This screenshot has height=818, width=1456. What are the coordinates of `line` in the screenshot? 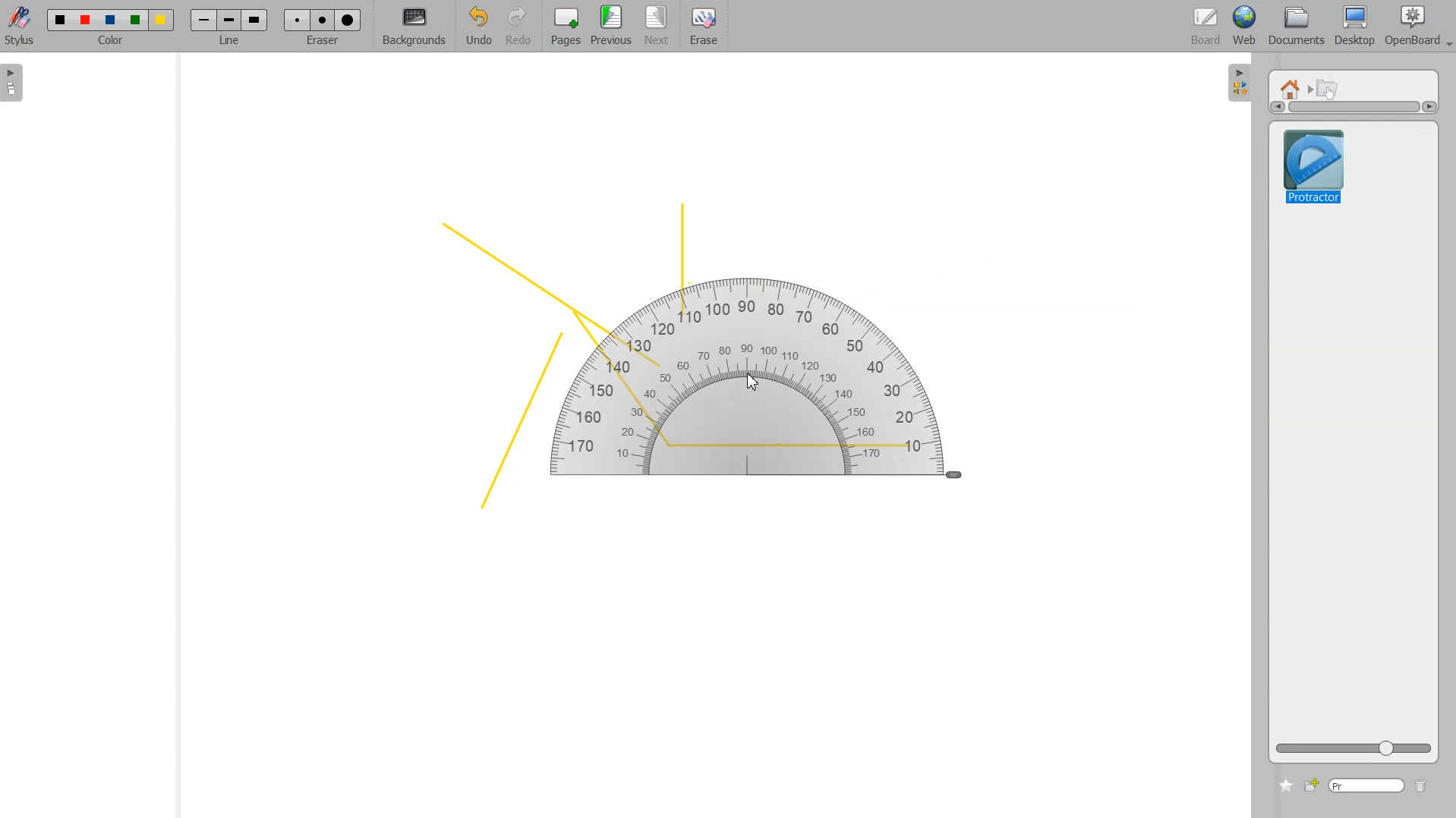 It's located at (232, 42).